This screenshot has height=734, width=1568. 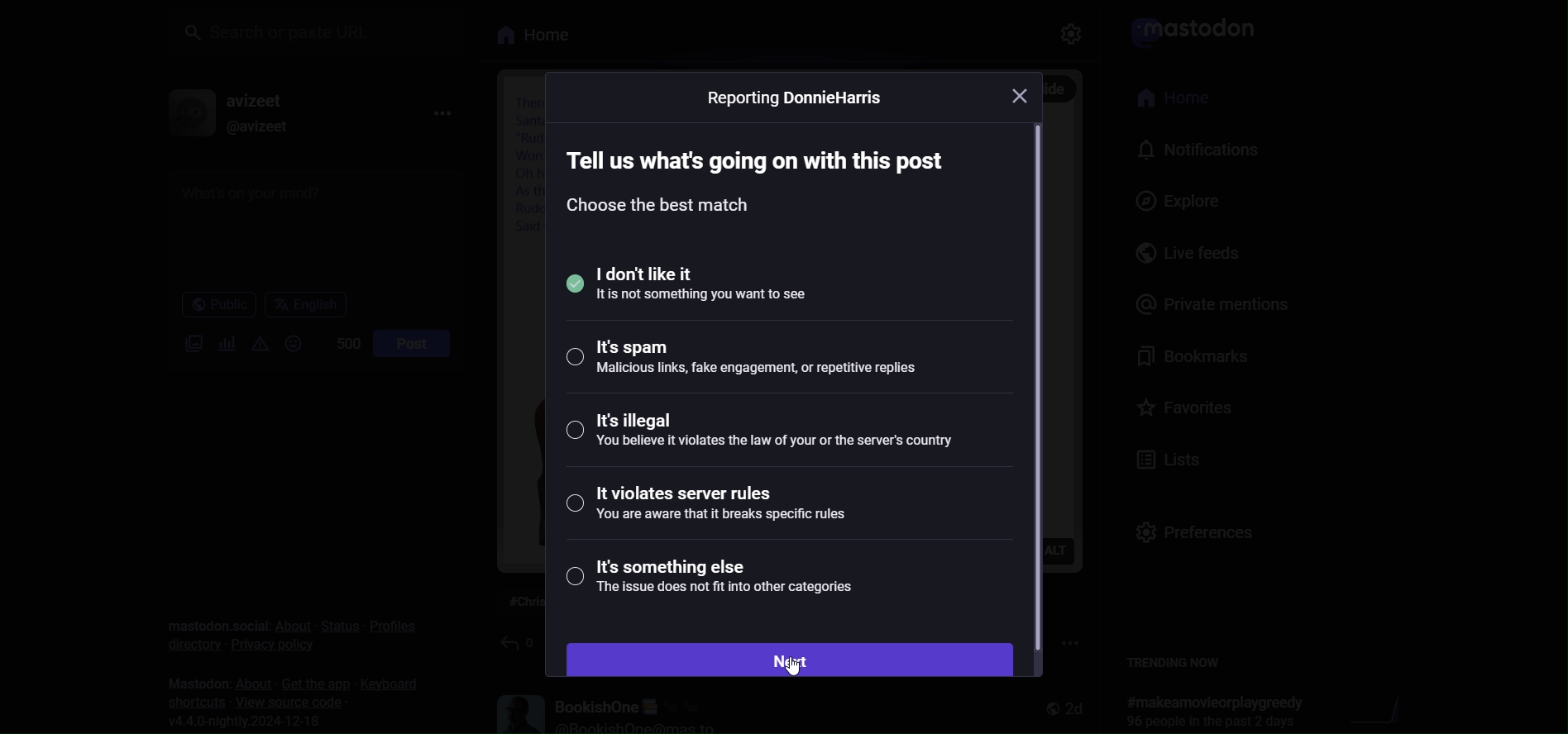 What do you see at coordinates (189, 679) in the screenshot?
I see `mastodon` at bounding box center [189, 679].